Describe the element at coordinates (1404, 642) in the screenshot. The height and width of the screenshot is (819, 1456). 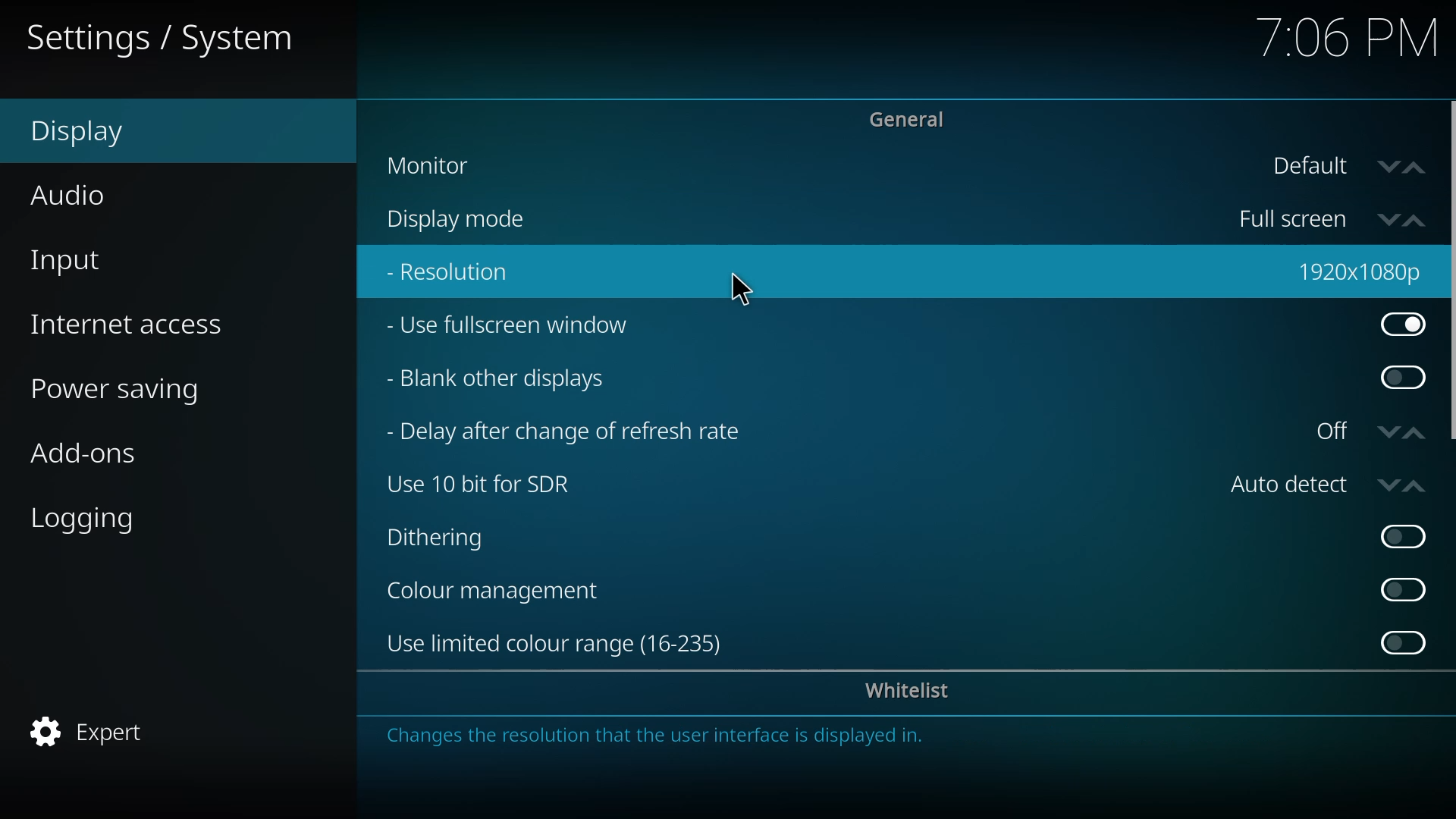
I see `enable` at that location.